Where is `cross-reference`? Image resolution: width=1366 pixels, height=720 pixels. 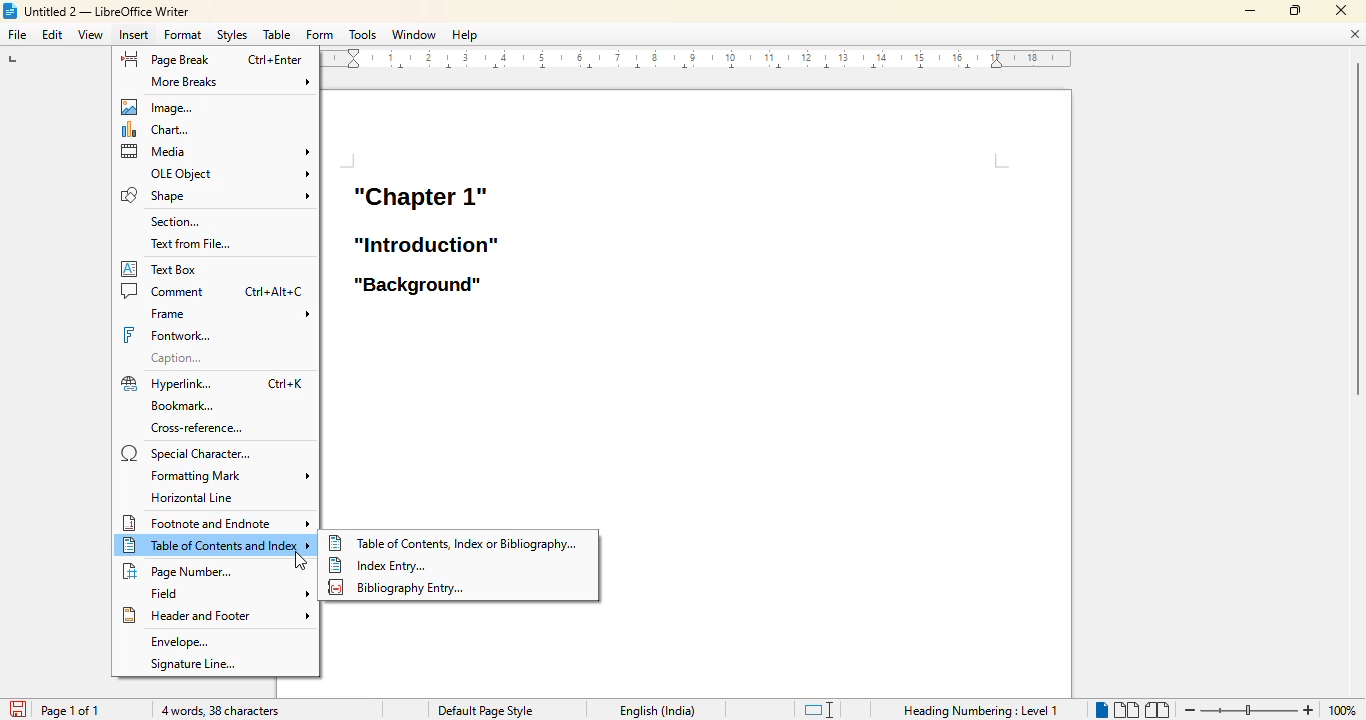
cross-reference is located at coordinates (196, 428).